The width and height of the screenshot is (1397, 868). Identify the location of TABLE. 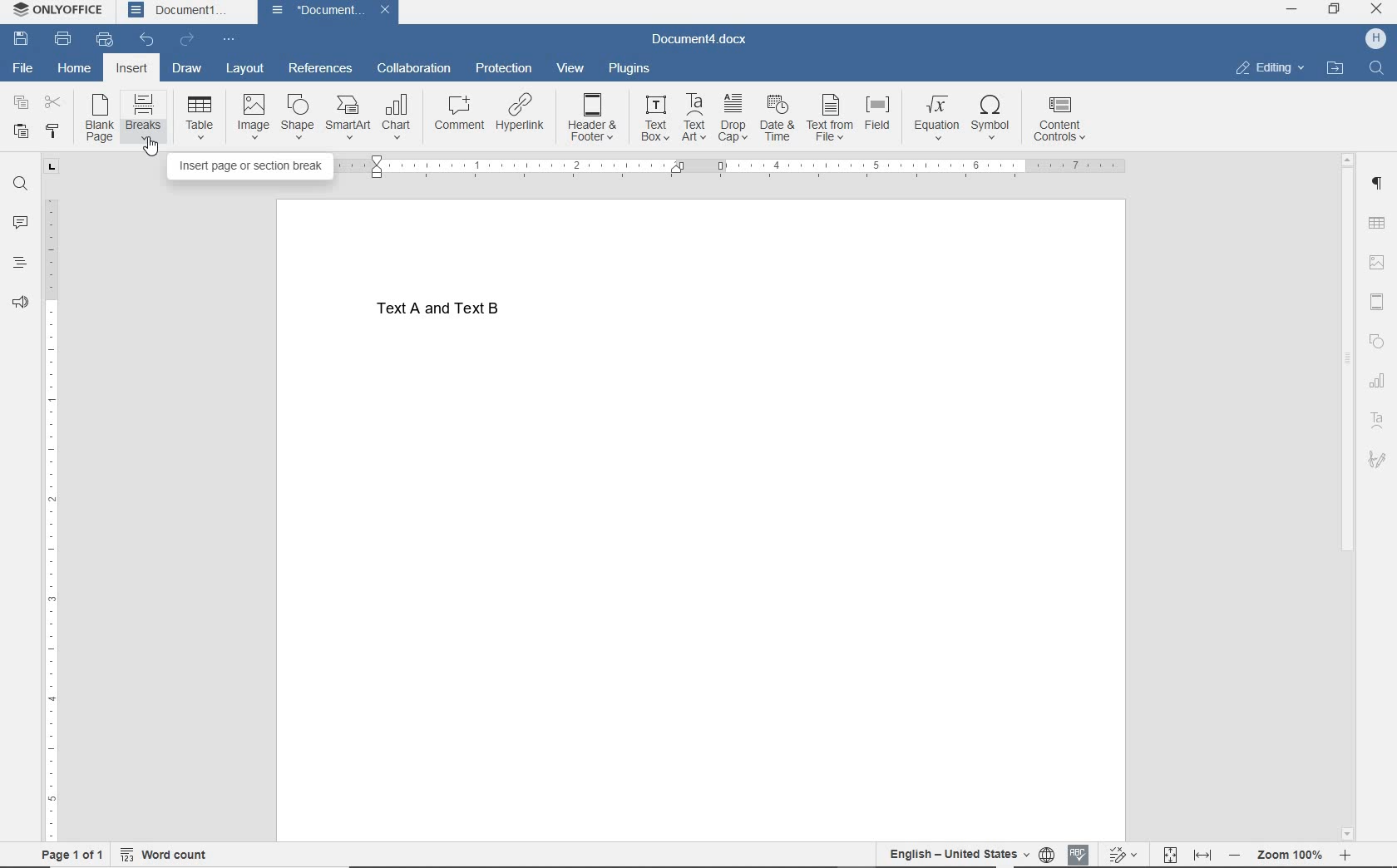
(1377, 224).